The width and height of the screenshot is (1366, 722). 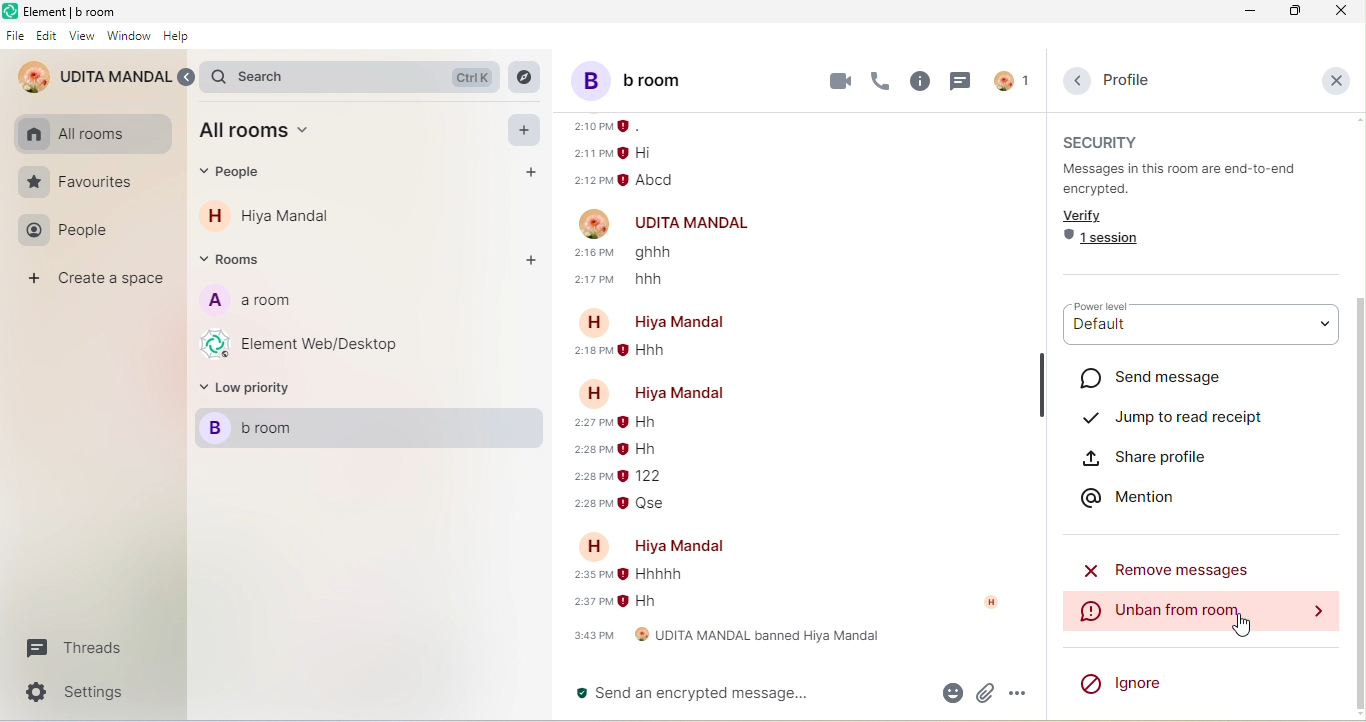 I want to click on account name- hiya mandal, so click(x=649, y=392).